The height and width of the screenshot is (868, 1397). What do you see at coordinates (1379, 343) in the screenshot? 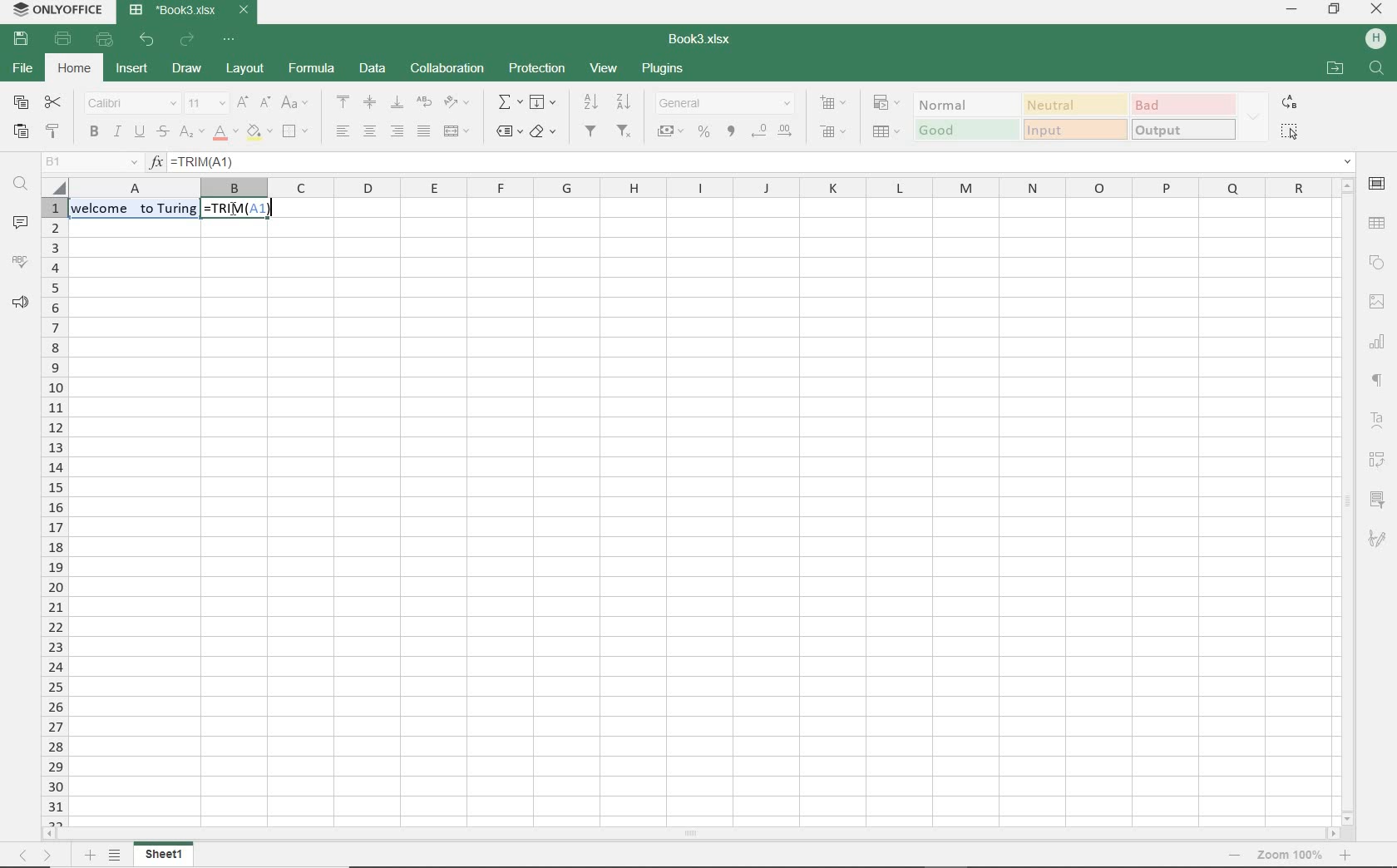
I see `chart` at bounding box center [1379, 343].